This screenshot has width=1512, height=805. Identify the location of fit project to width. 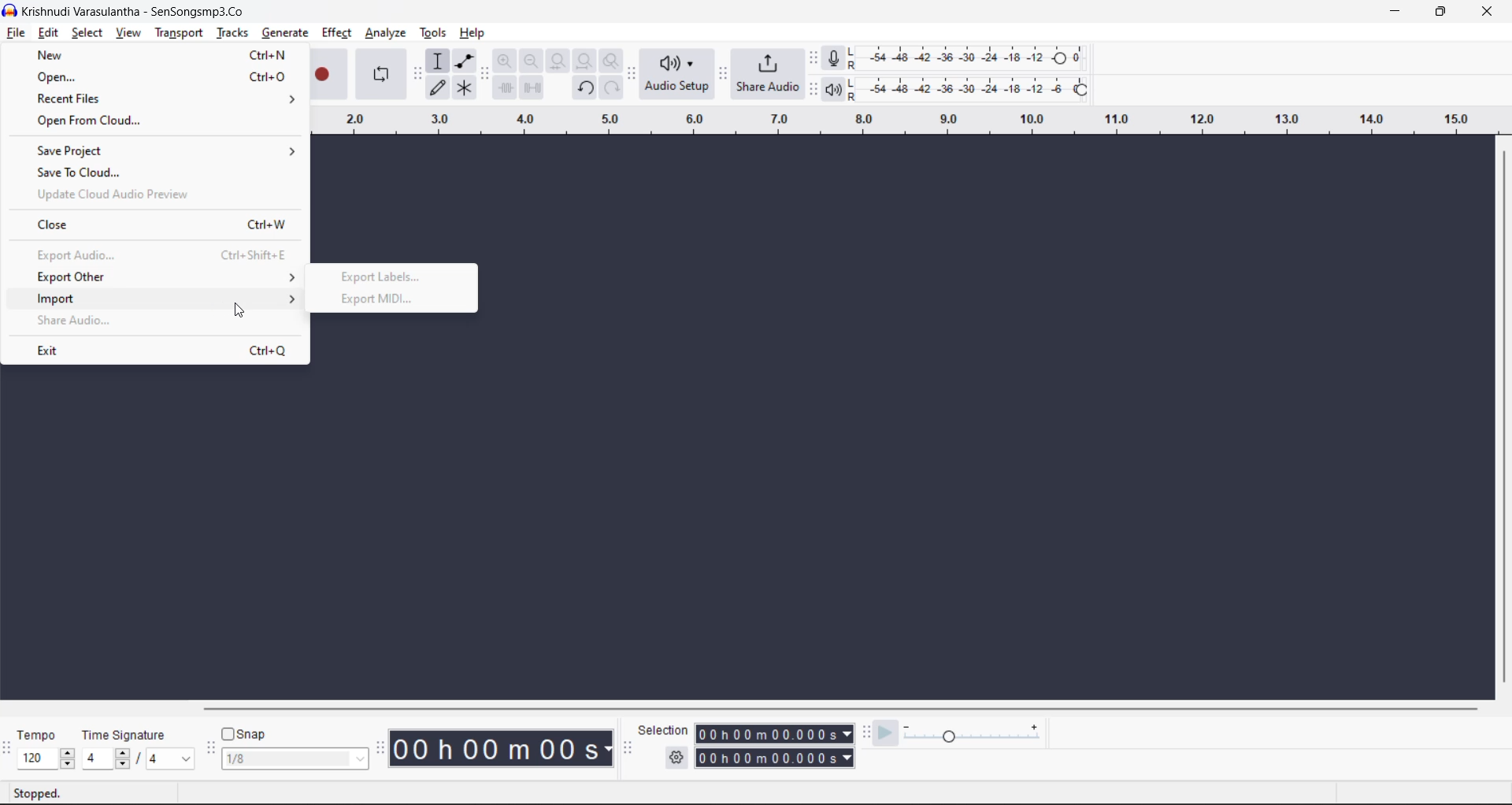
(587, 62).